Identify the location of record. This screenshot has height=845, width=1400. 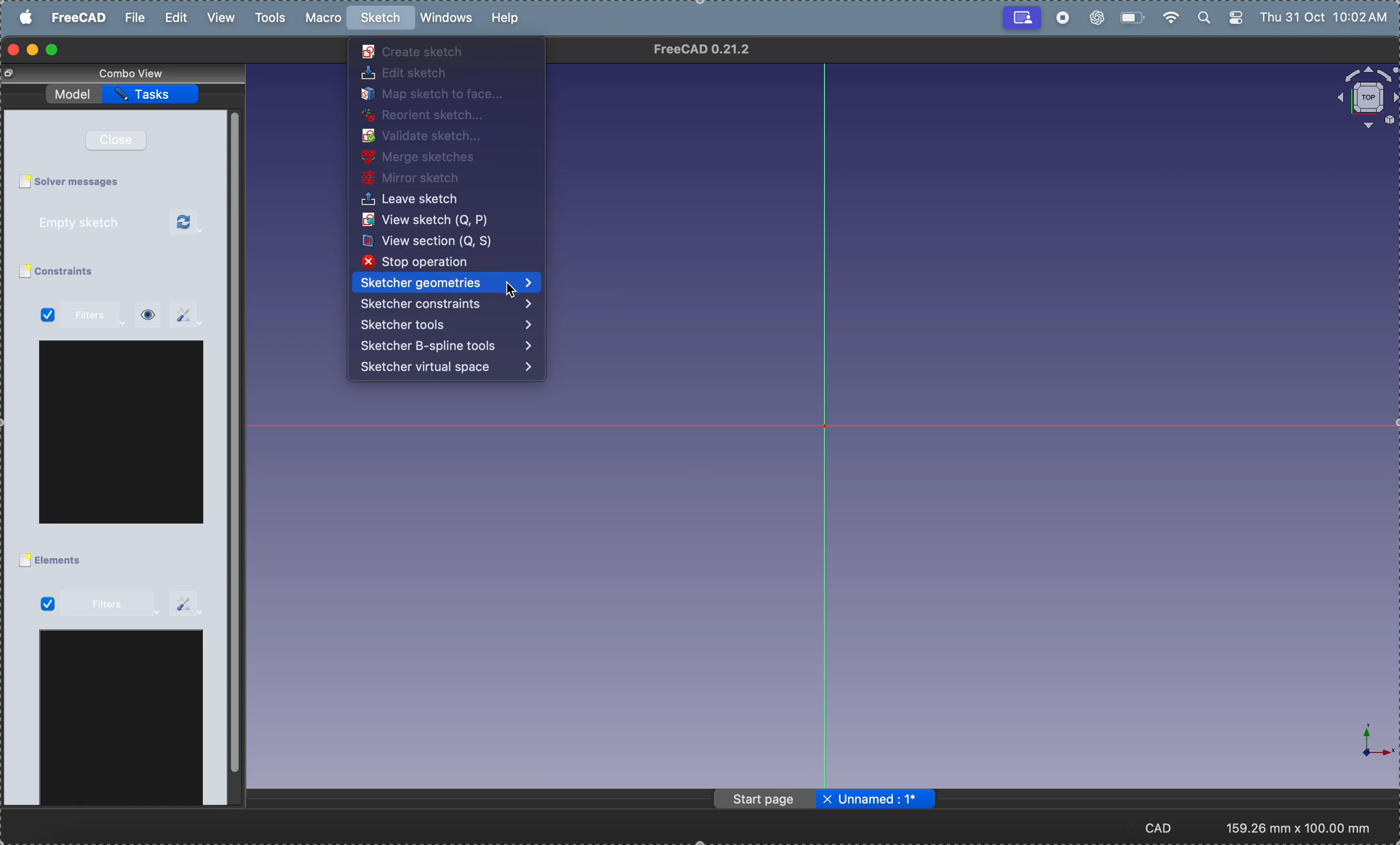
(1062, 18).